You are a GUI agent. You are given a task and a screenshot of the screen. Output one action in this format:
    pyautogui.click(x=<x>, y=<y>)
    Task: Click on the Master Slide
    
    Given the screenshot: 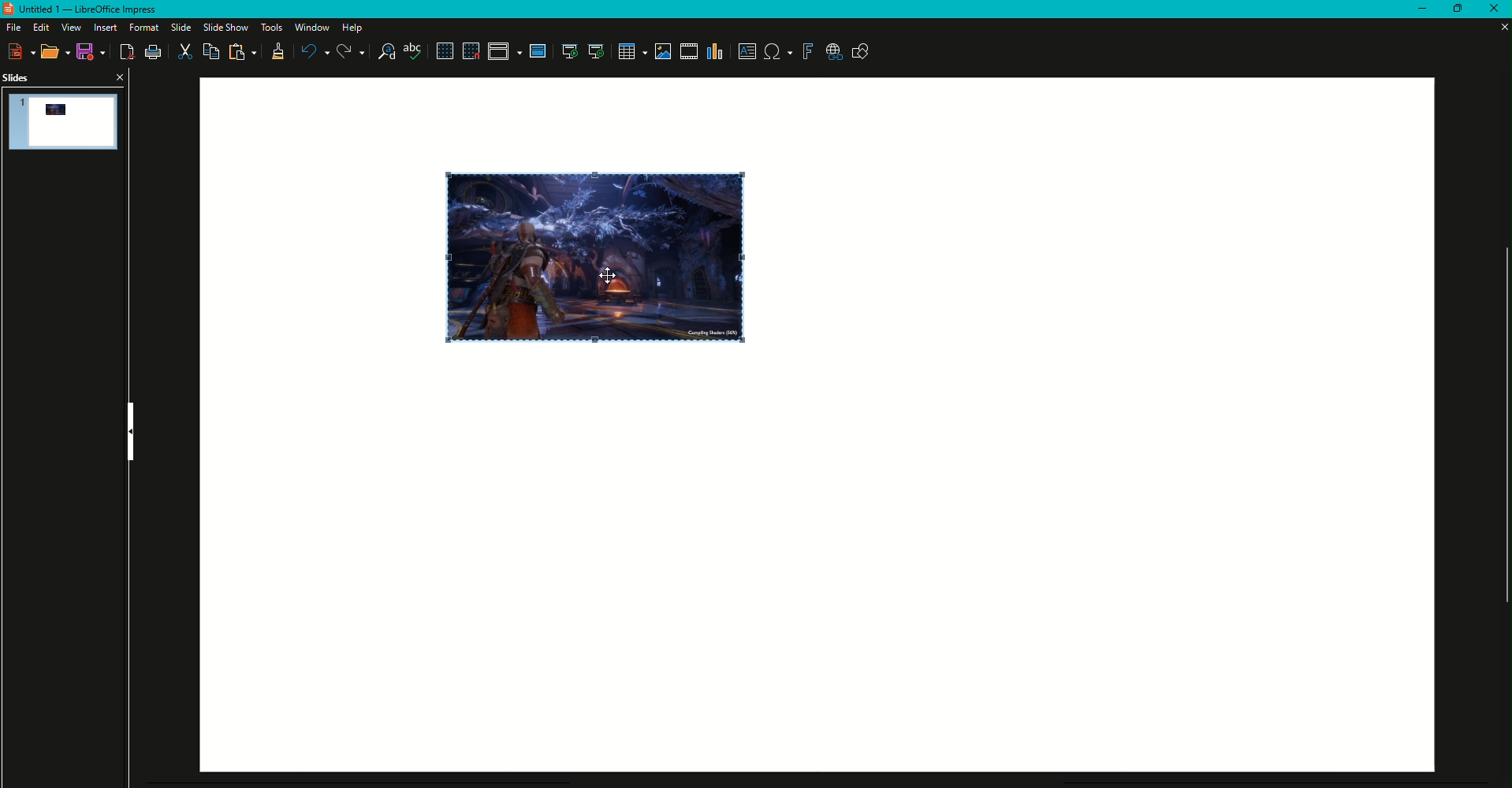 What is the action you would take?
    pyautogui.click(x=538, y=51)
    